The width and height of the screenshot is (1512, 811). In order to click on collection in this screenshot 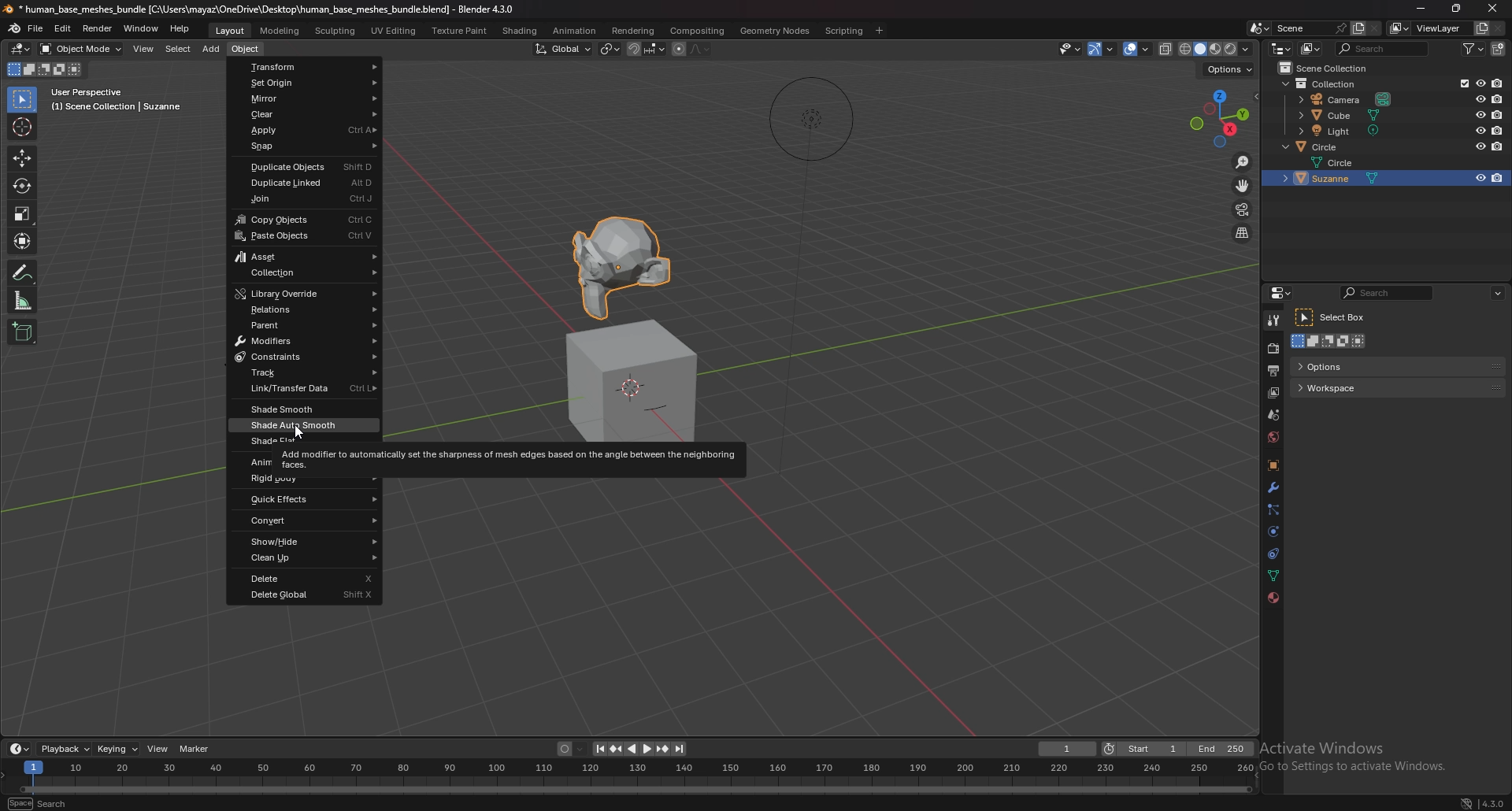, I will do `click(1329, 68)`.